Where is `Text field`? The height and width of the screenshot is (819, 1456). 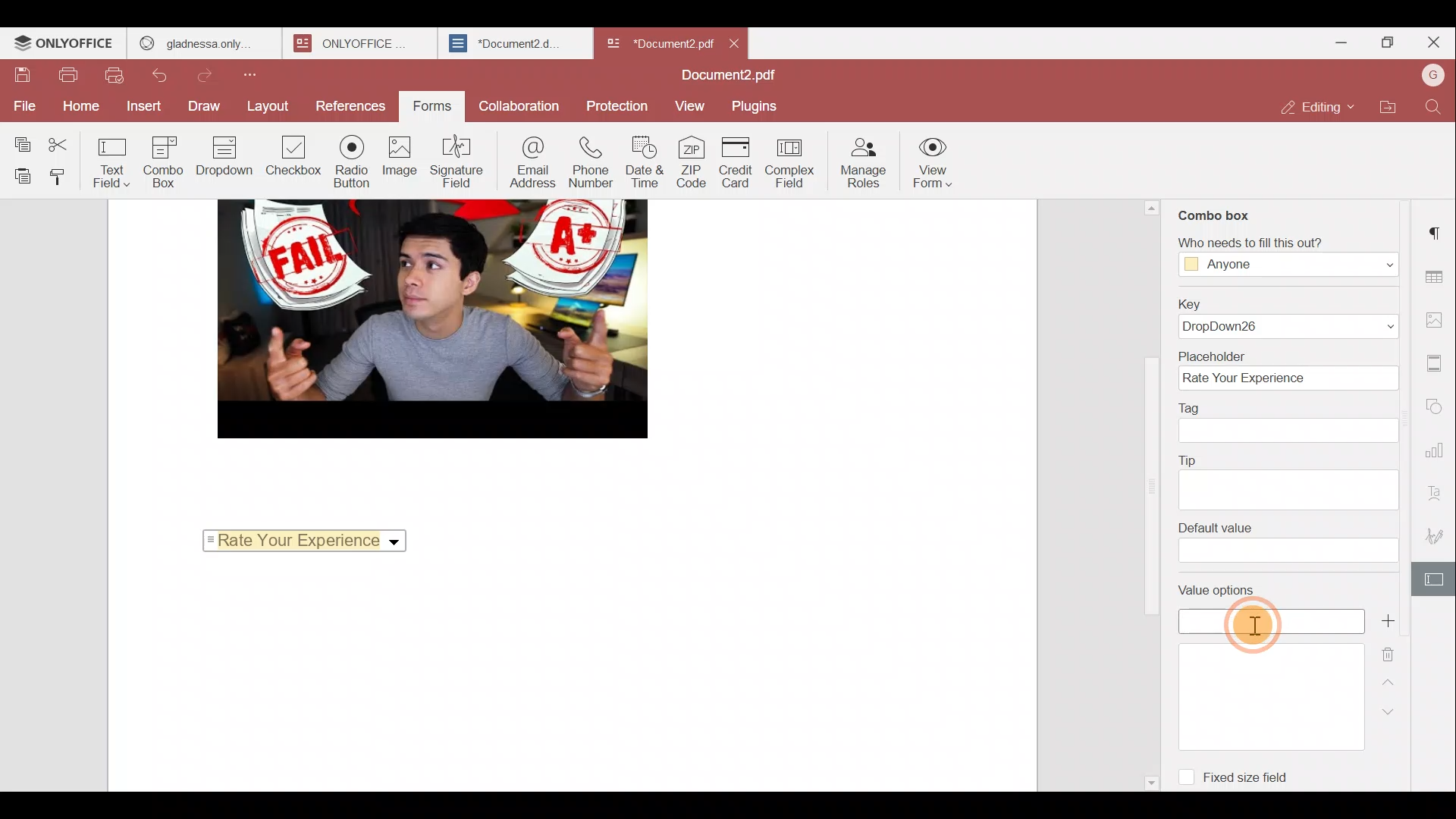 Text field is located at coordinates (117, 165).